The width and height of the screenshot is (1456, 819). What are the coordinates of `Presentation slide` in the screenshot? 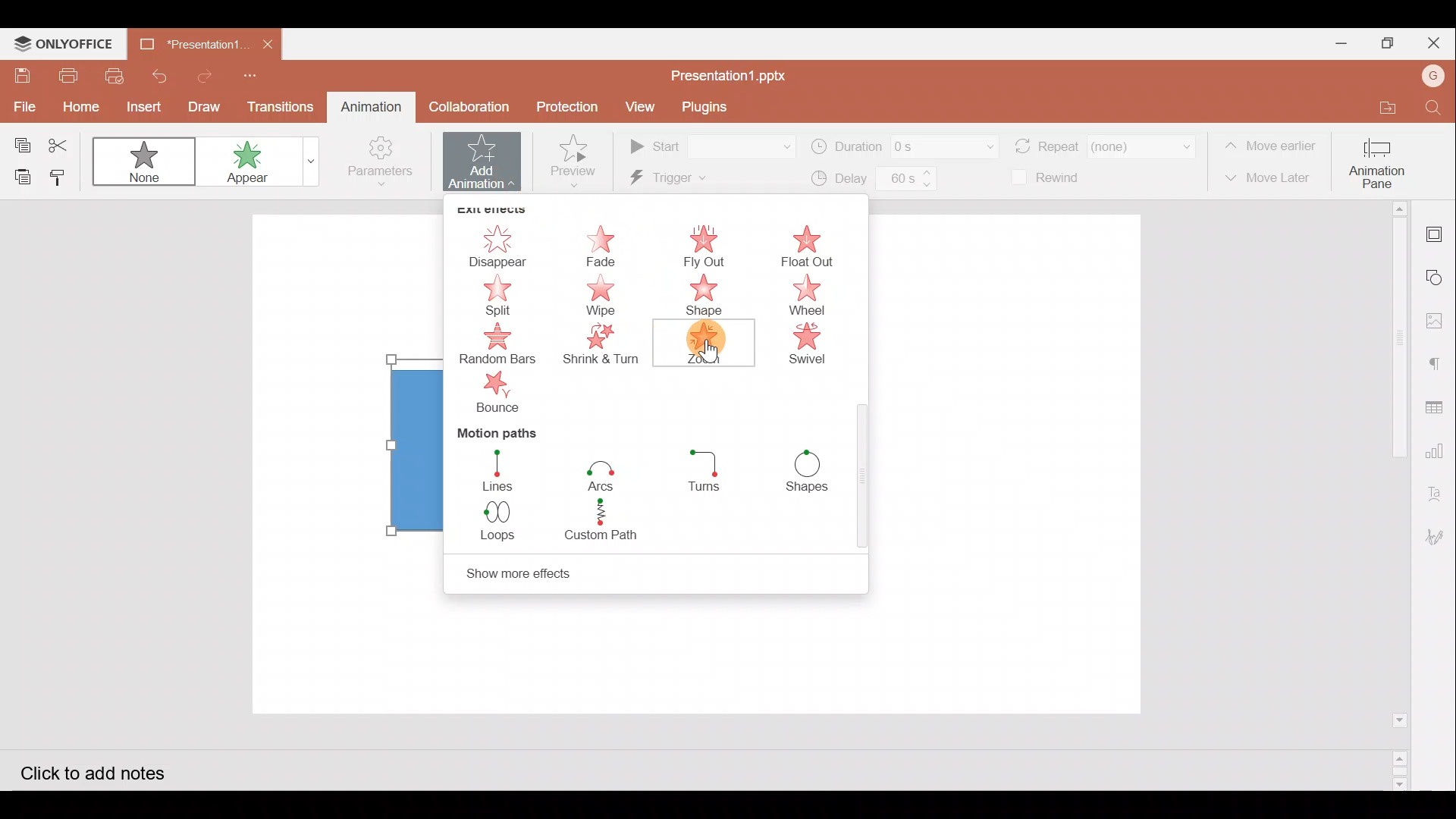 It's located at (1009, 466).